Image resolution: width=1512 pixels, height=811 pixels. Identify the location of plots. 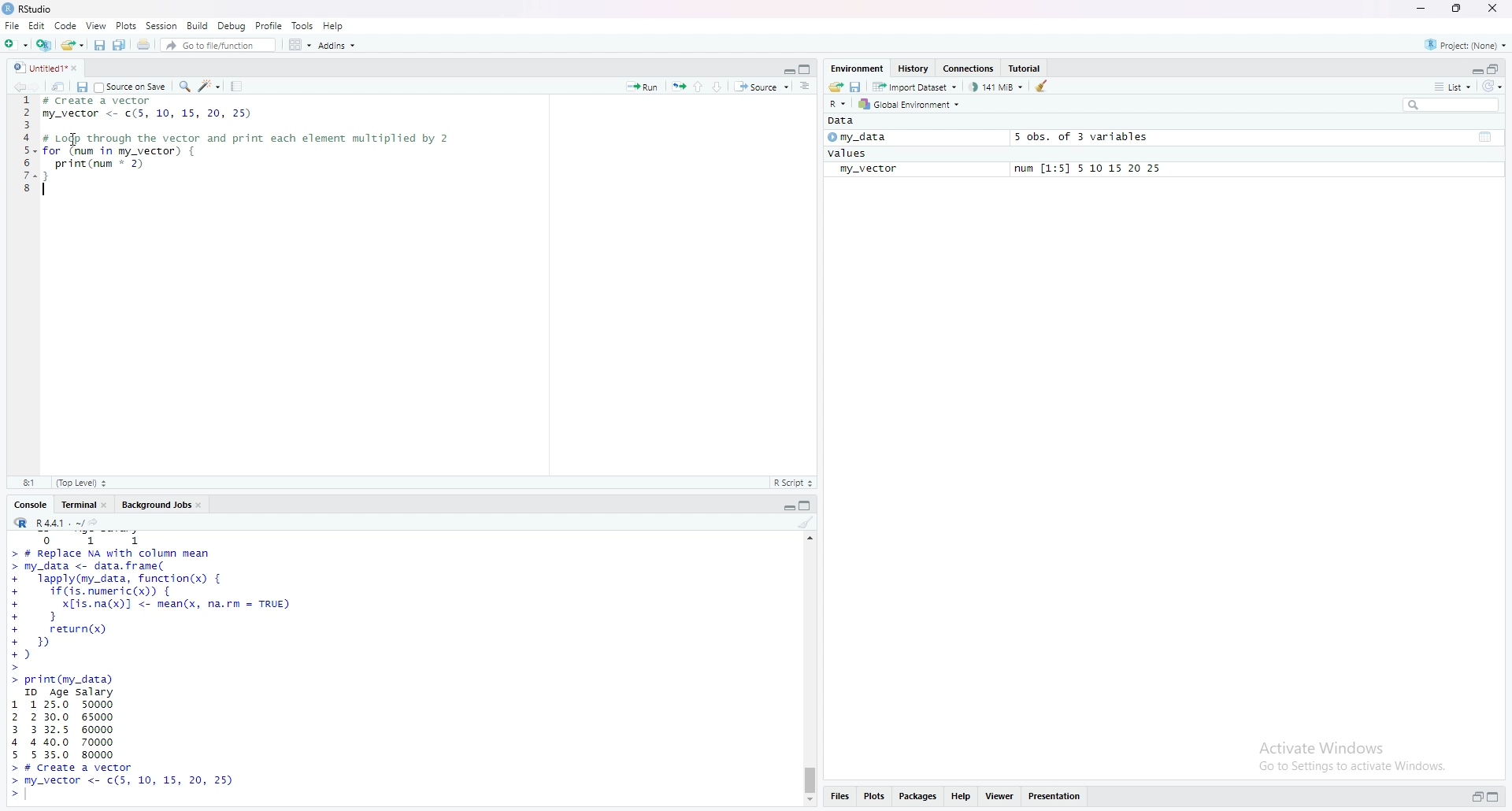
(876, 796).